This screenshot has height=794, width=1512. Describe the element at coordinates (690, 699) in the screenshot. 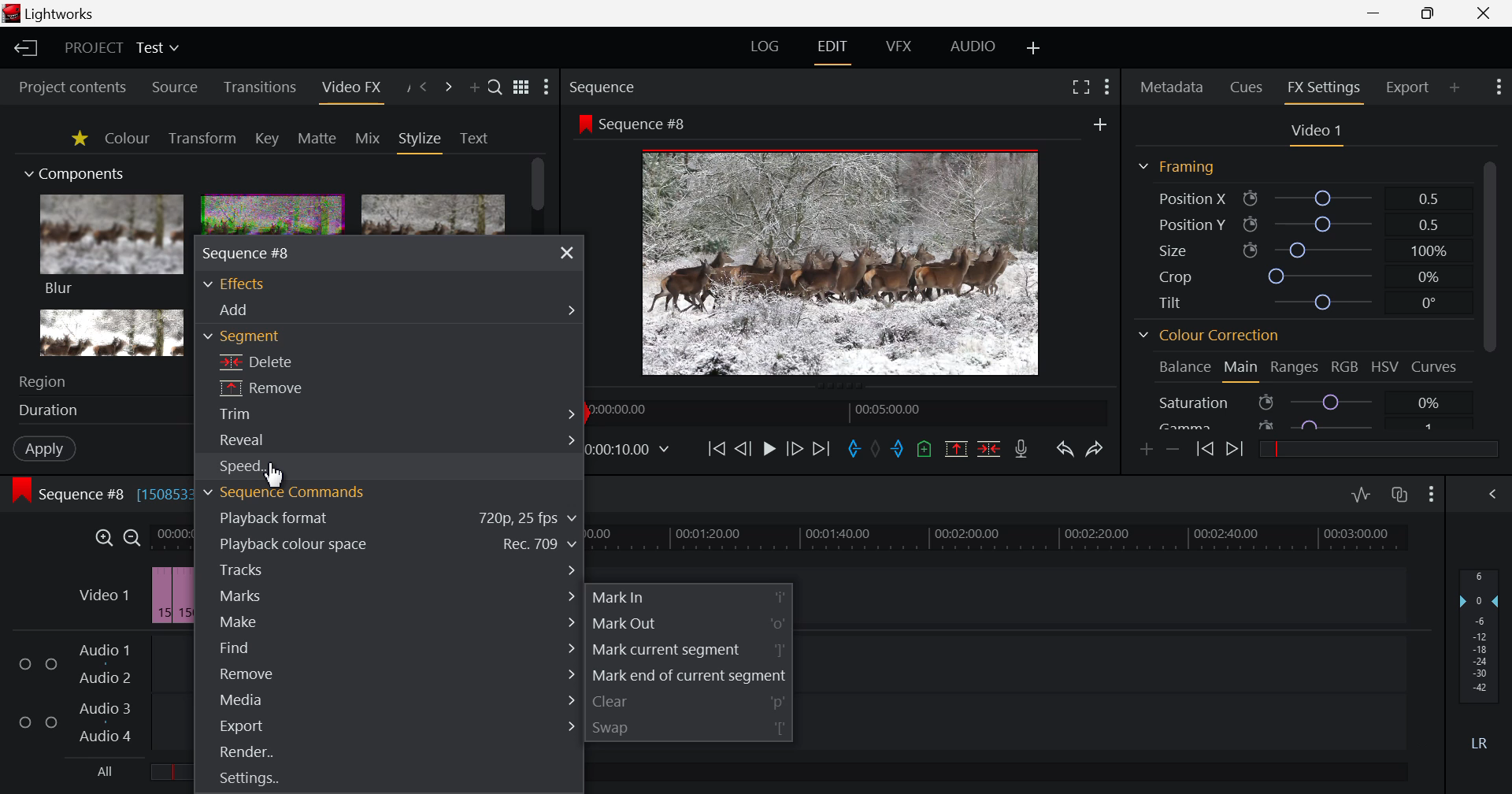

I see `Clear` at that location.